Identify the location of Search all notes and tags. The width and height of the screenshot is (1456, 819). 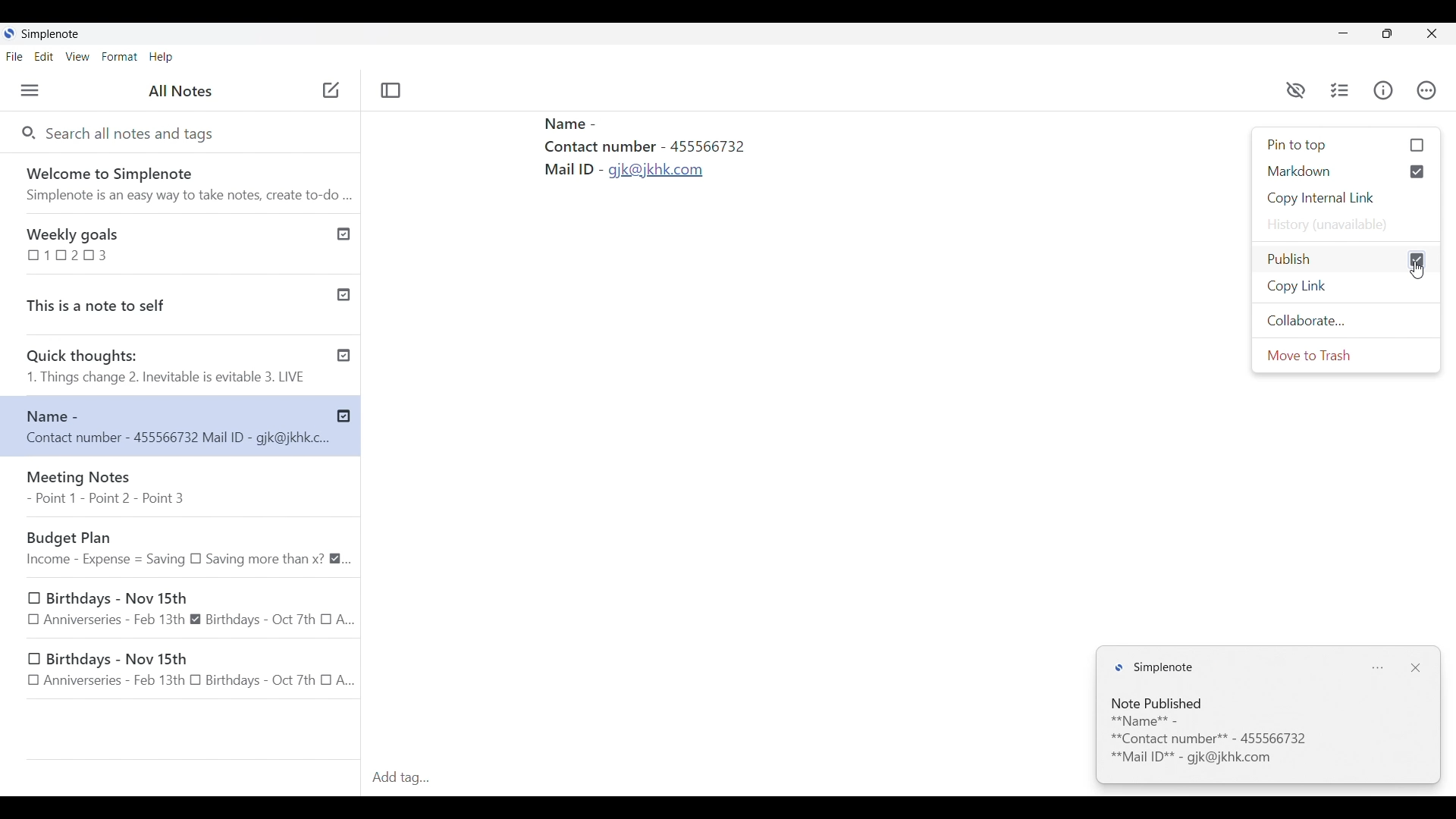
(136, 134).